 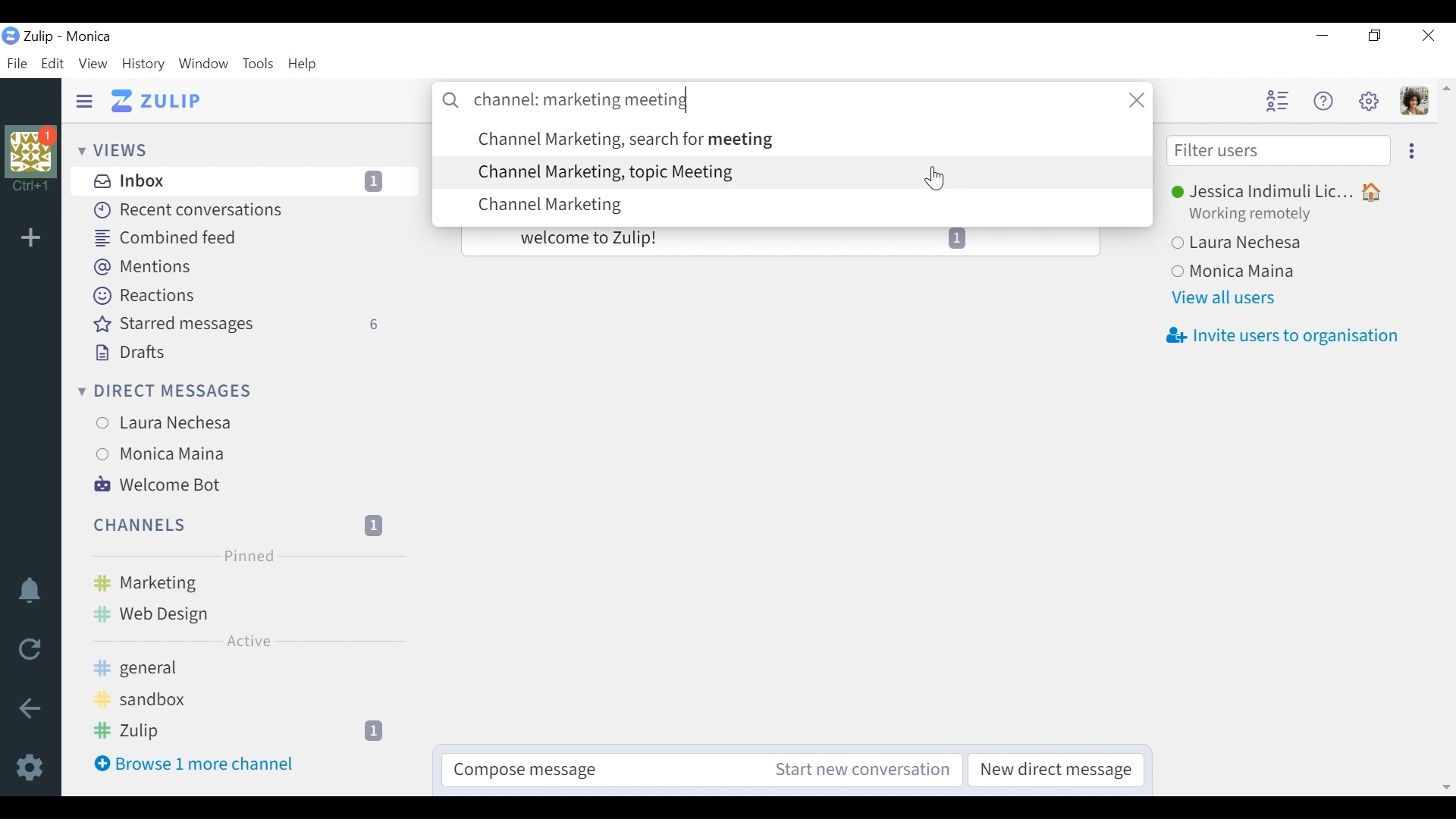 I want to click on Notifications, so click(x=30, y=594).